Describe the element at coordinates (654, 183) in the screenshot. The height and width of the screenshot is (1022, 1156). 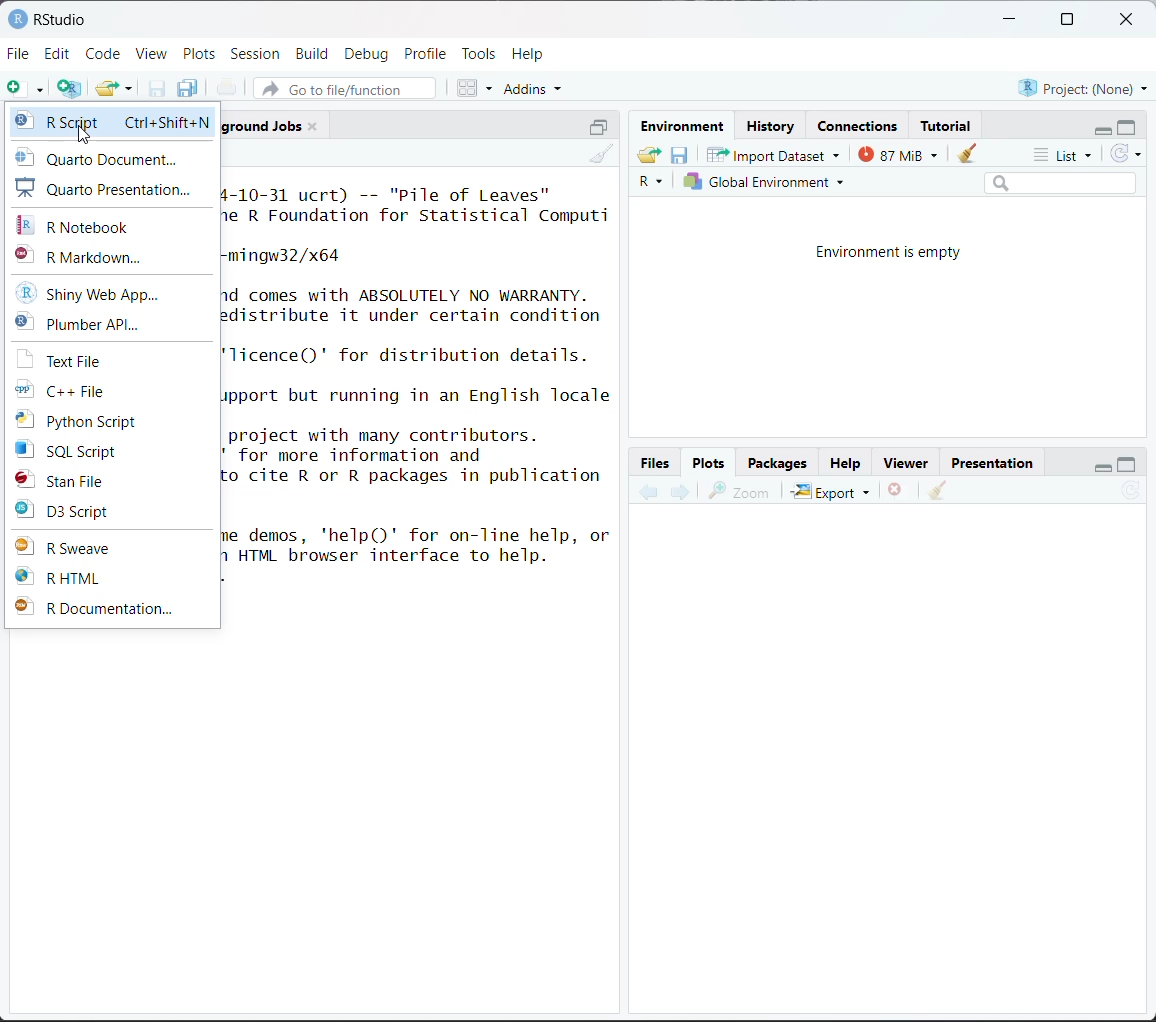
I see `R` at that location.